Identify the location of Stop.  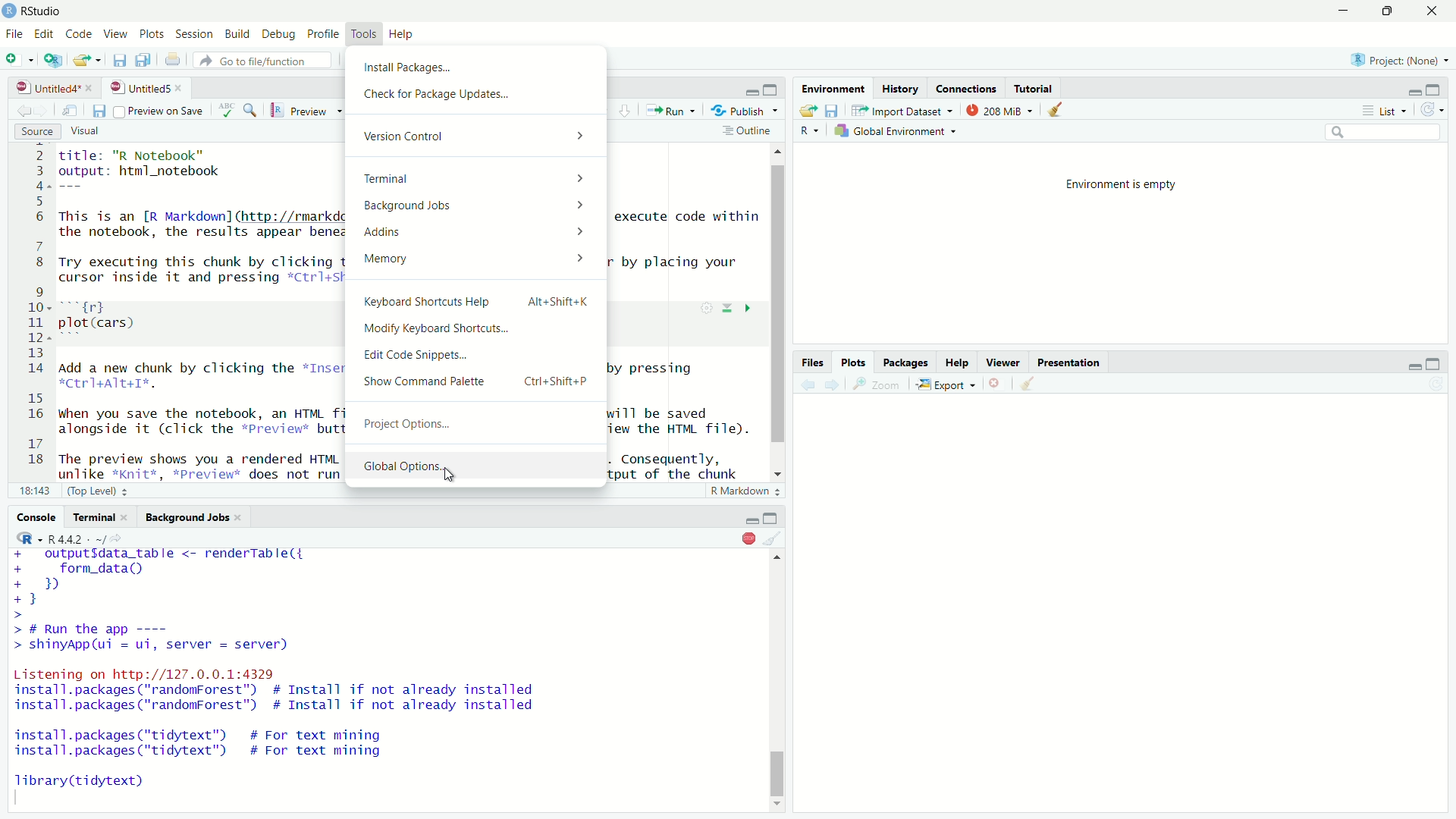
(748, 538).